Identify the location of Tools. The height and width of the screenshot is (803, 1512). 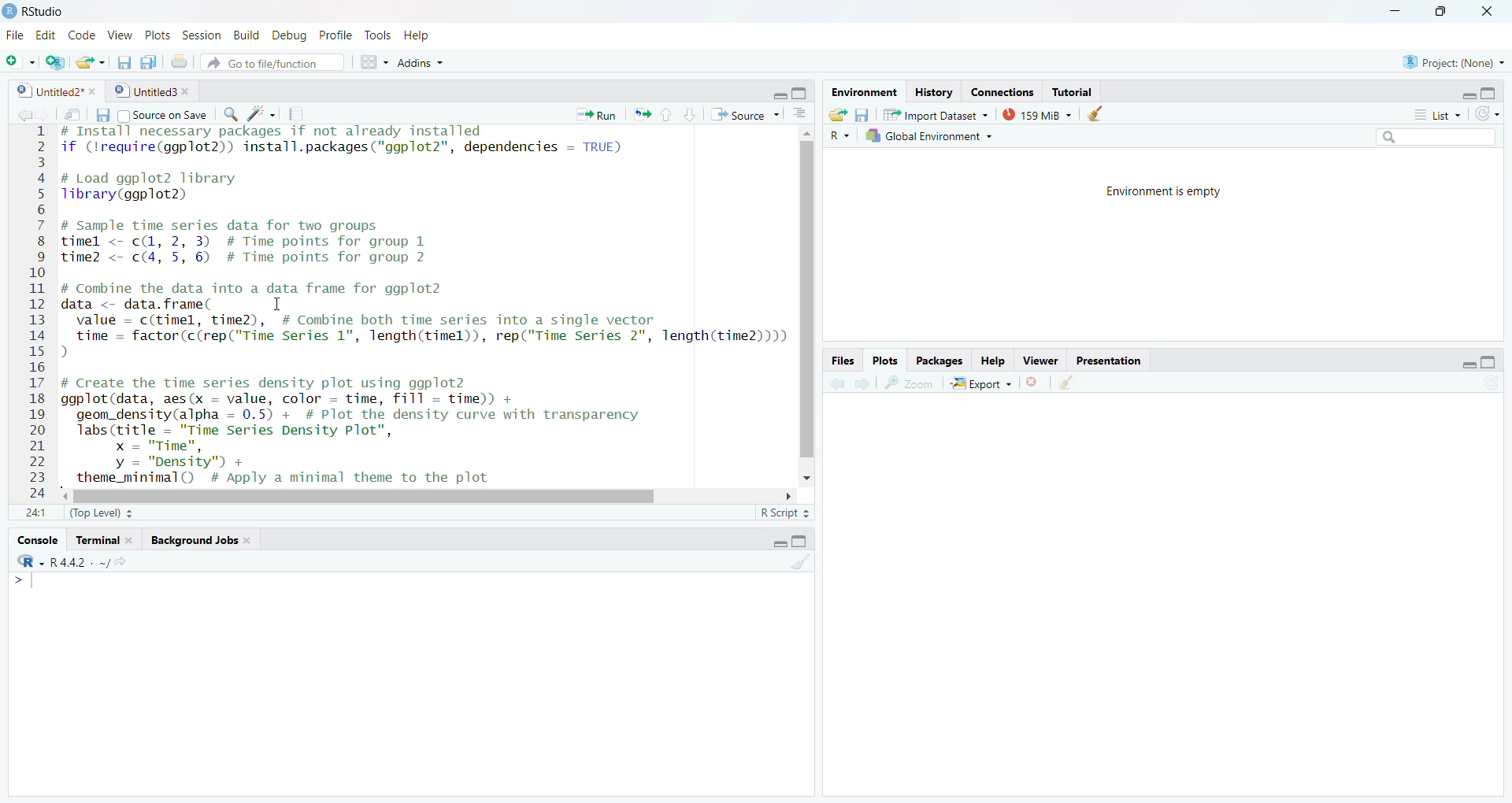
(376, 36).